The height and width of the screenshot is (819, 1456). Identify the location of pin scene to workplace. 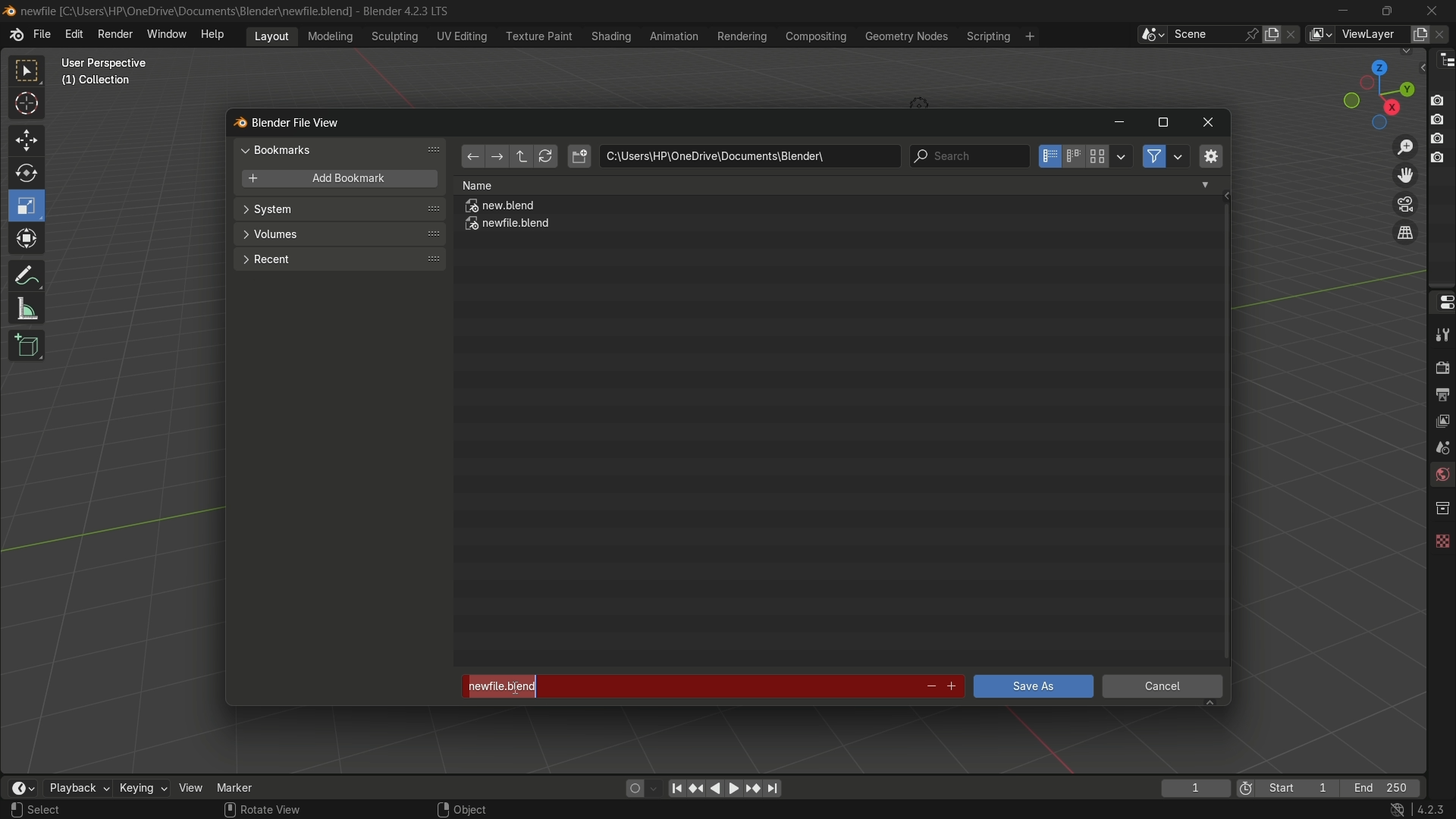
(1254, 34).